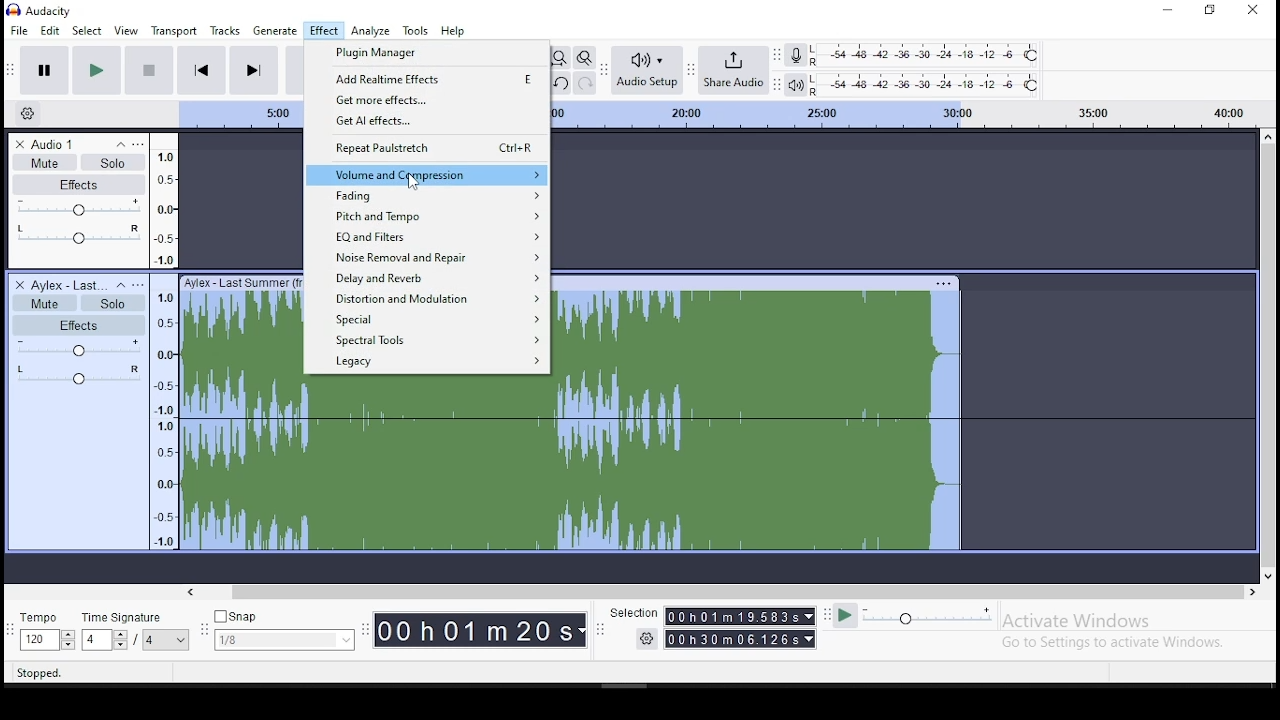  Describe the element at coordinates (119, 285) in the screenshot. I see `collapse` at that location.